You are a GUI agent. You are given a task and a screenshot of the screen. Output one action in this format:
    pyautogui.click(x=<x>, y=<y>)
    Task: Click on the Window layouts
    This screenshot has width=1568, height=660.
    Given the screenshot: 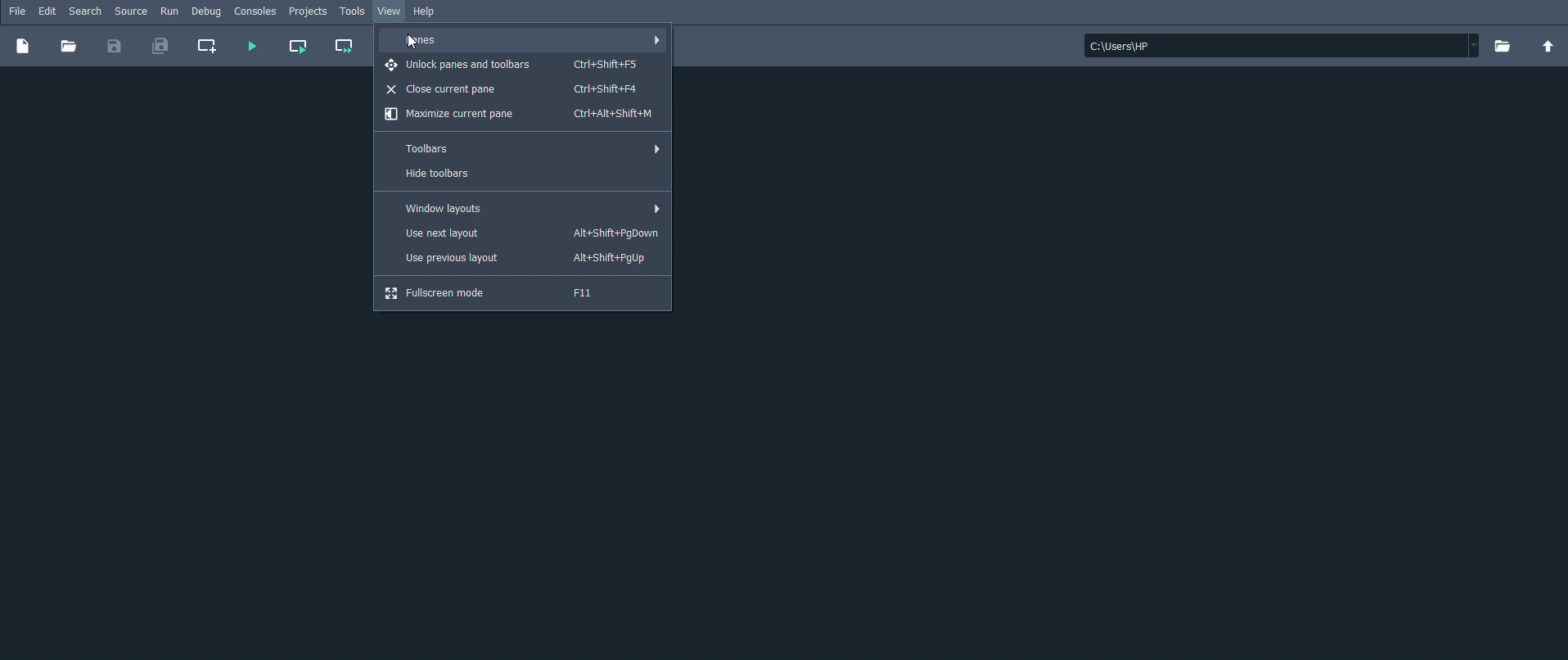 What is the action you would take?
    pyautogui.click(x=522, y=209)
    